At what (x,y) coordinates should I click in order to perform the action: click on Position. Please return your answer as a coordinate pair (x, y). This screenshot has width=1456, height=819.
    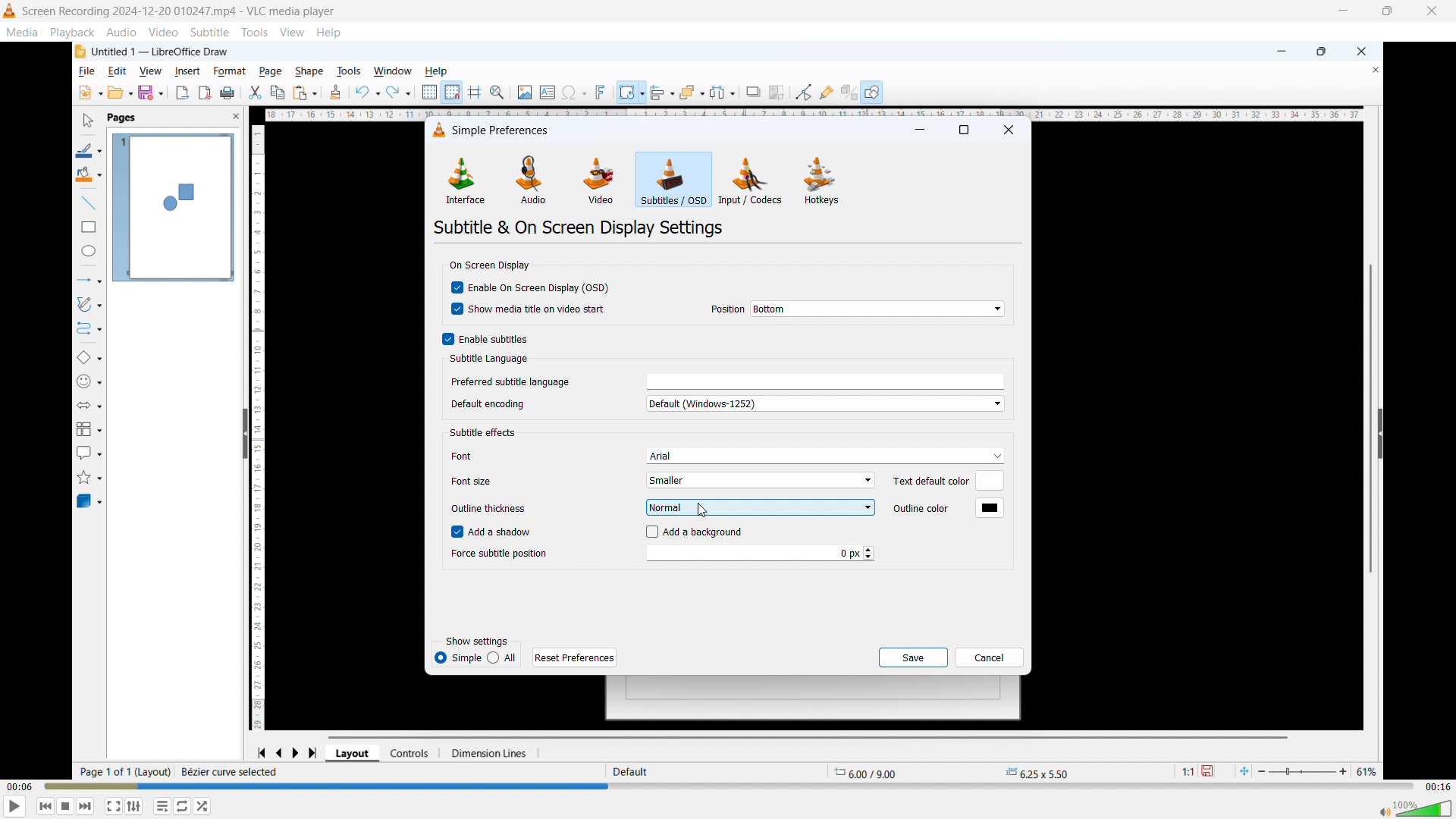
    Looking at the image, I should click on (726, 308).